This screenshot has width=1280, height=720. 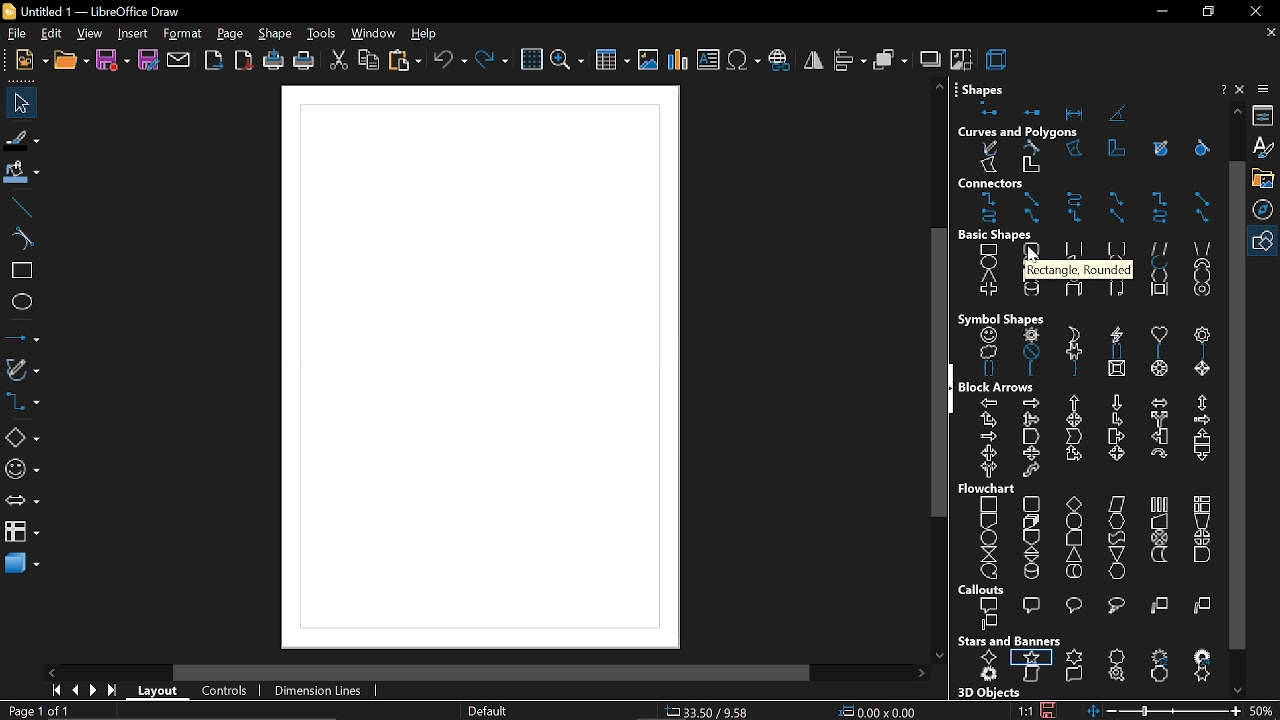 I want to click on block arrows, so click(x=1001, y=387).